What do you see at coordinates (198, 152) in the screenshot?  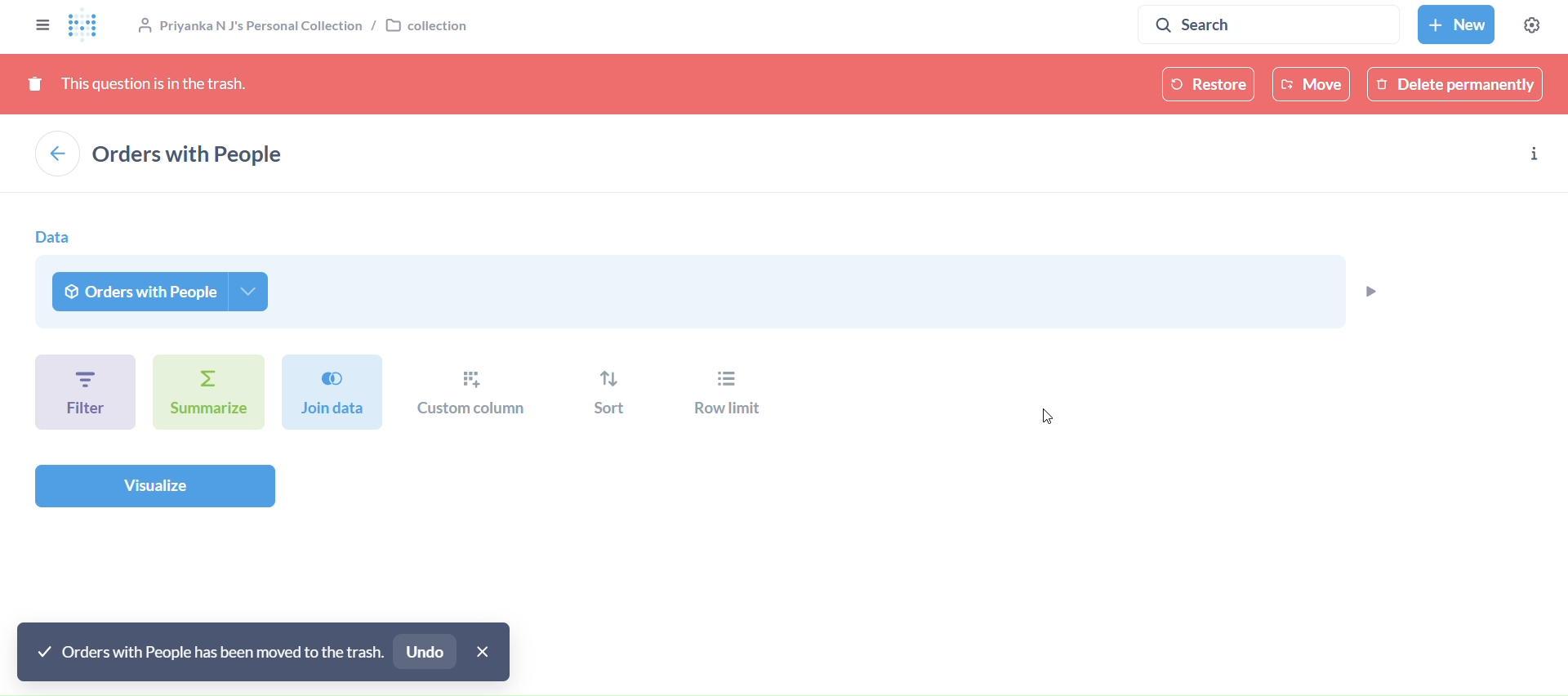 I see `example/orders with people` at bounding box center [198, 152].